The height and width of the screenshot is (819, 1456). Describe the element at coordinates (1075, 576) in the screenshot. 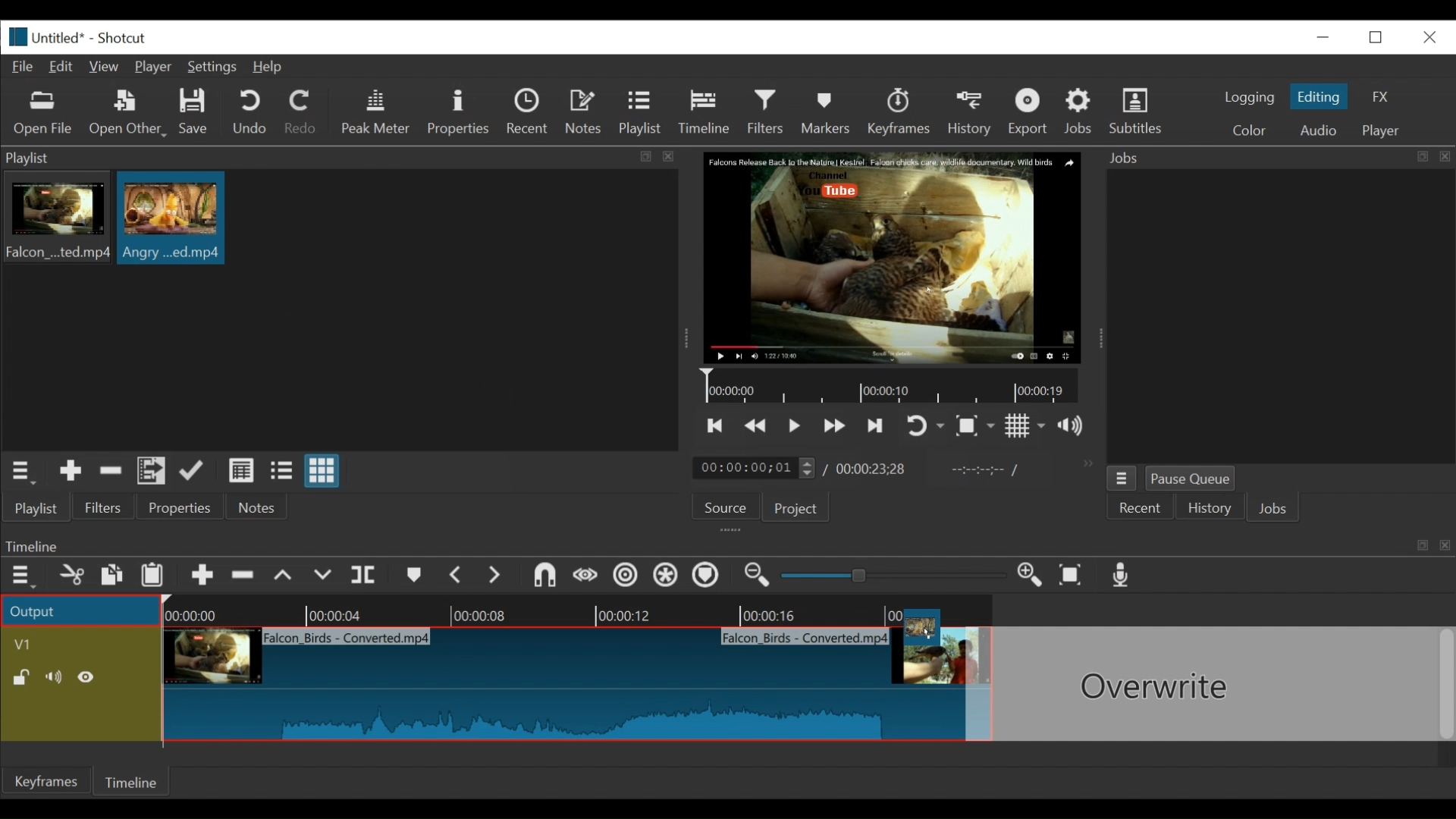

I see `Zoom timeline to fit` at that location.